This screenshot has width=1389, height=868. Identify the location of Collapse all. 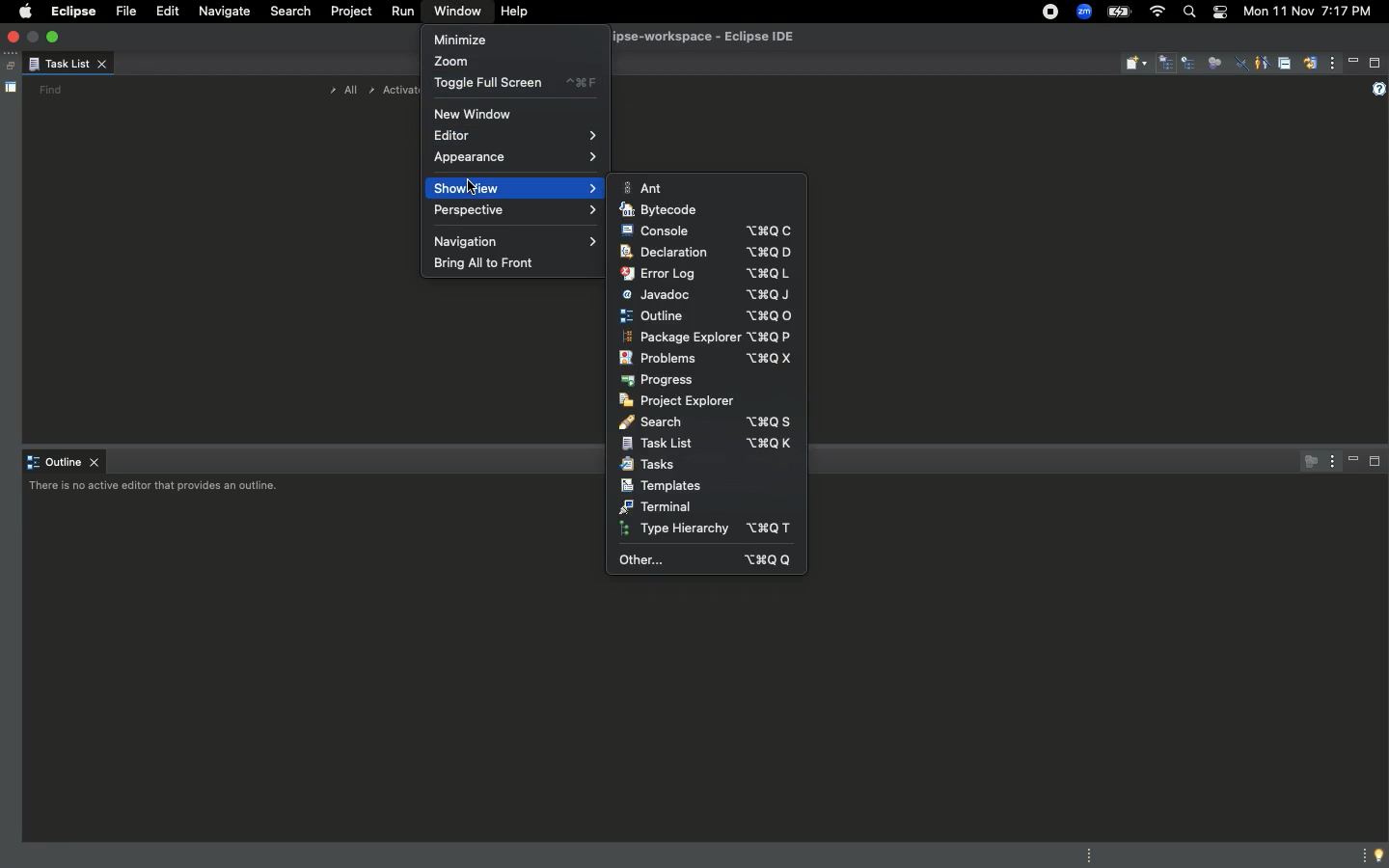
(1284, 66).